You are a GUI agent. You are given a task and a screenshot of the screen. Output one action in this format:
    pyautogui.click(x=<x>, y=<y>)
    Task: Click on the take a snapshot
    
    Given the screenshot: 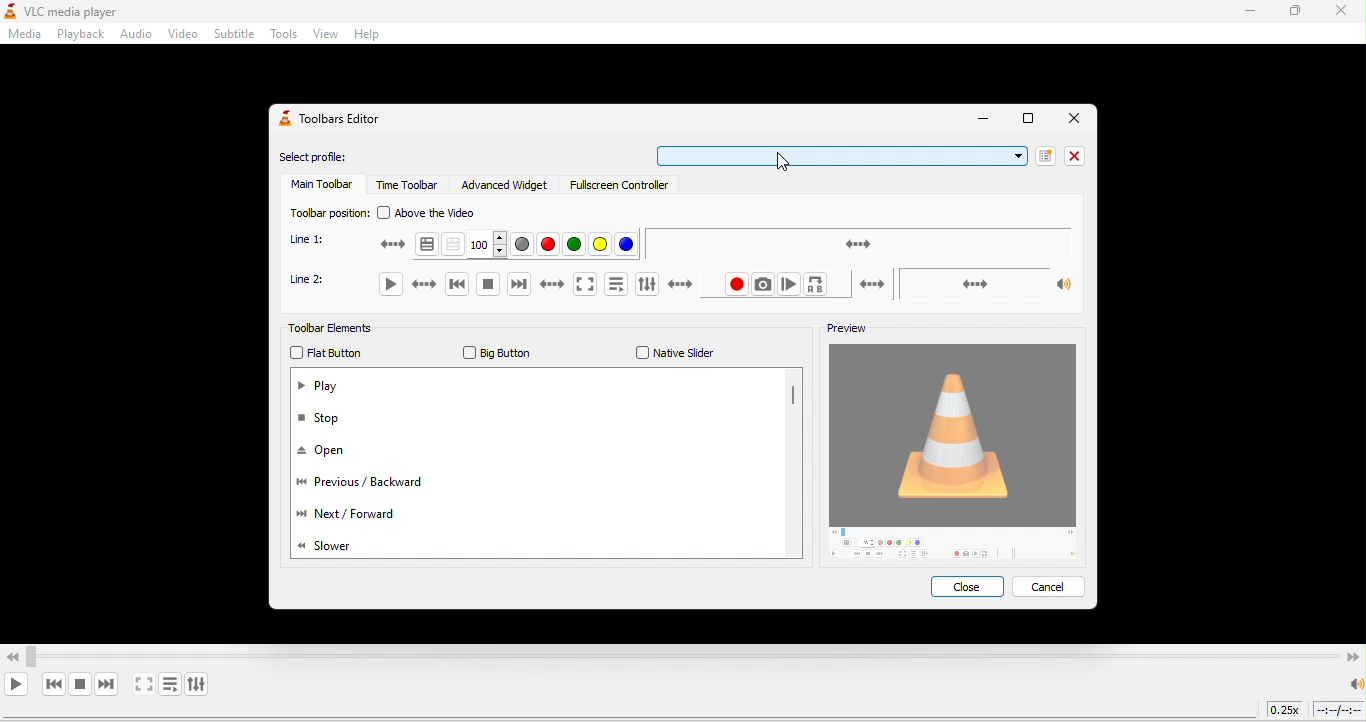 What is the action you would take?
    pyautogui.click(x=765, y=285)
    